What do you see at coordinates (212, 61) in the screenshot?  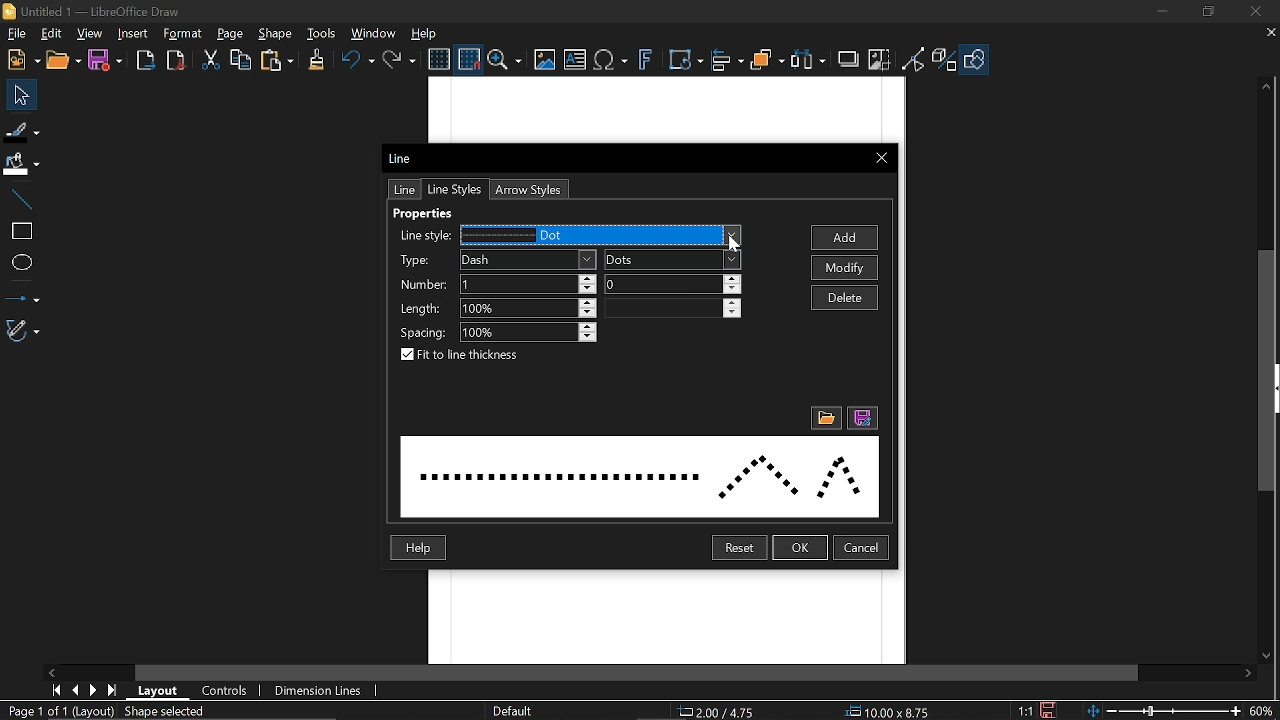 I see `Cut` at bounding box center [212, 61].